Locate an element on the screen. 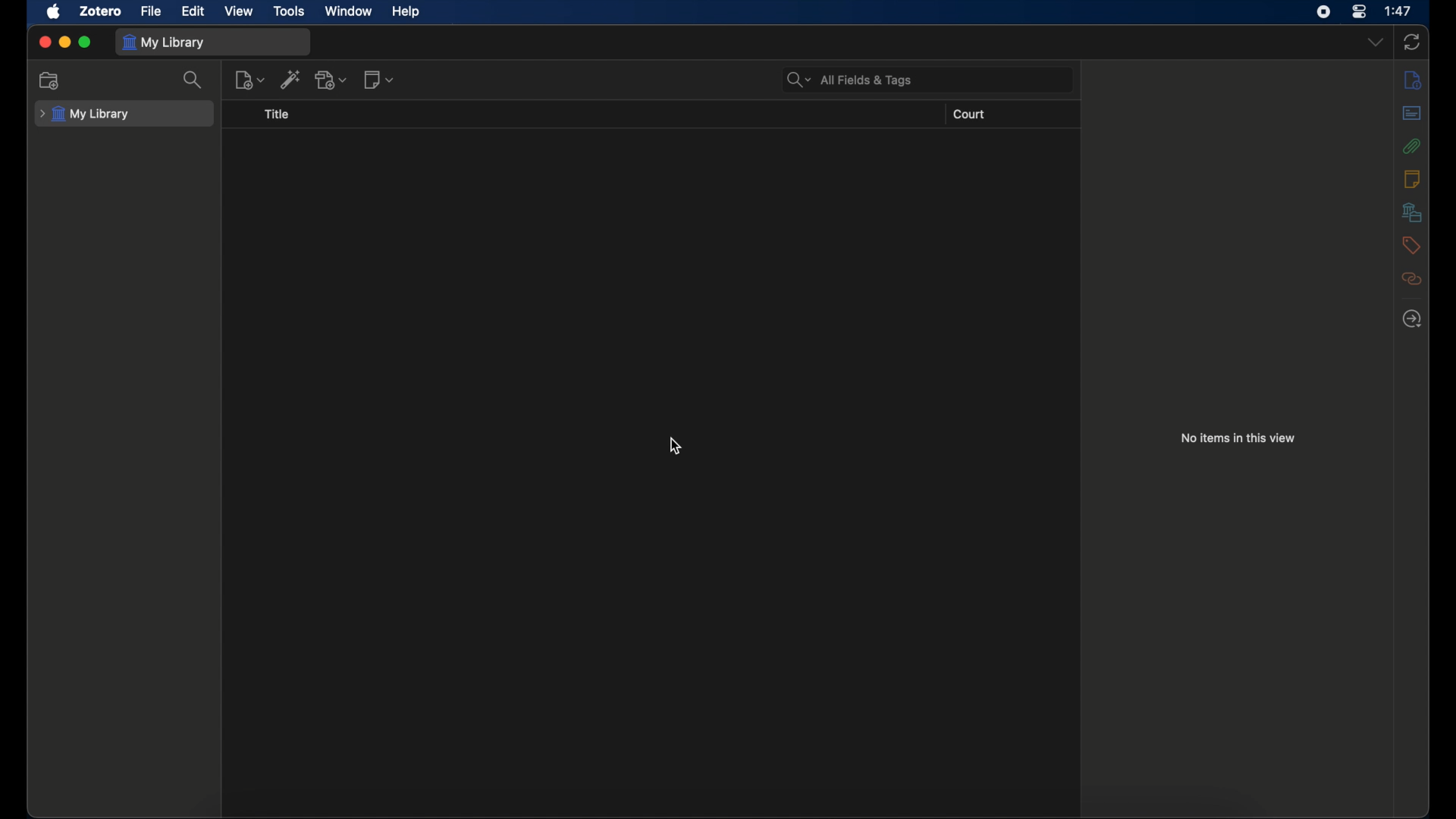  view is located at coordinates (237, 11).